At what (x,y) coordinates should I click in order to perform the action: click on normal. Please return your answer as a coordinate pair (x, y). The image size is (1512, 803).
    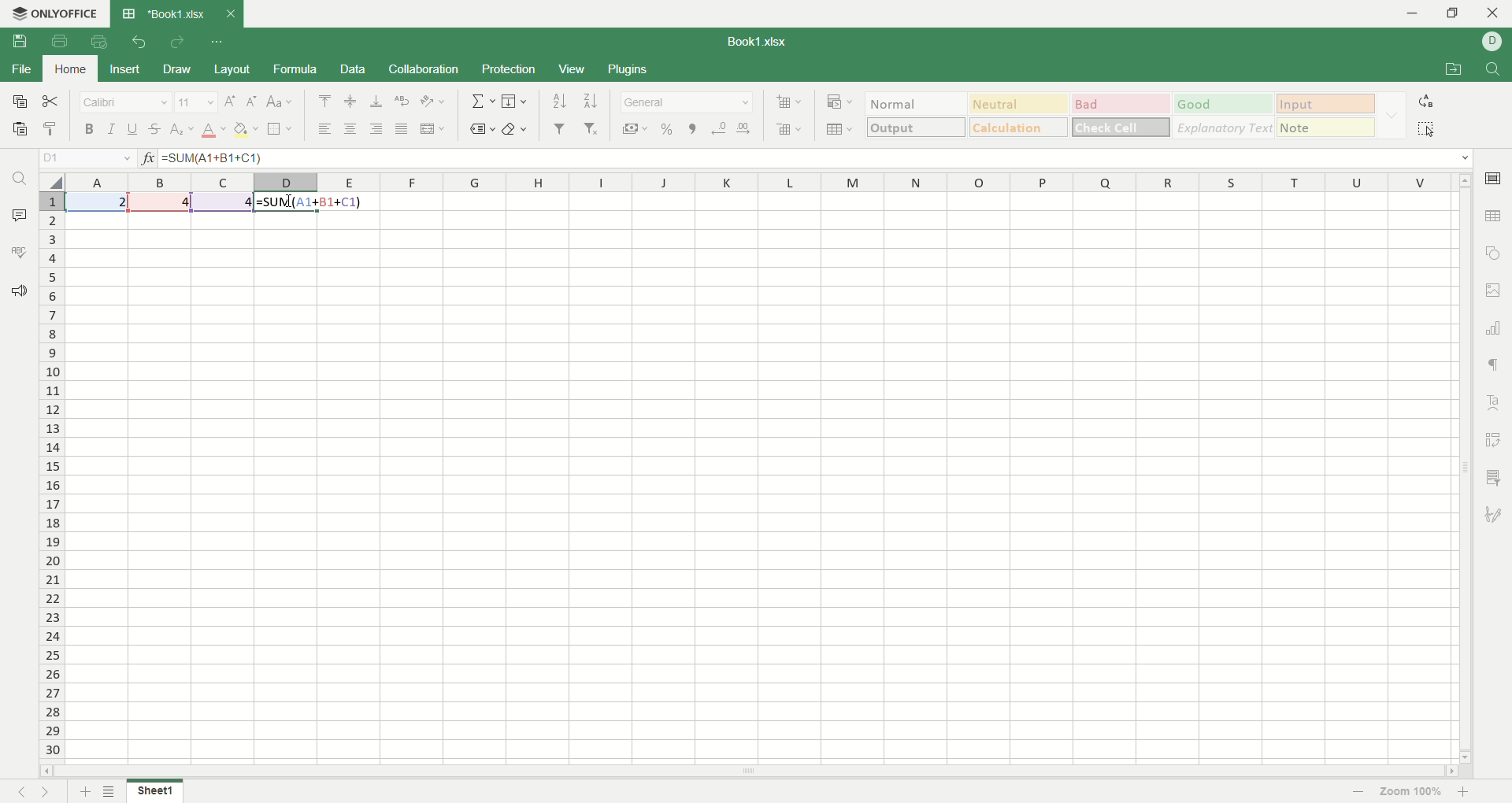
    Looking at the image, I should click on (919, 102).